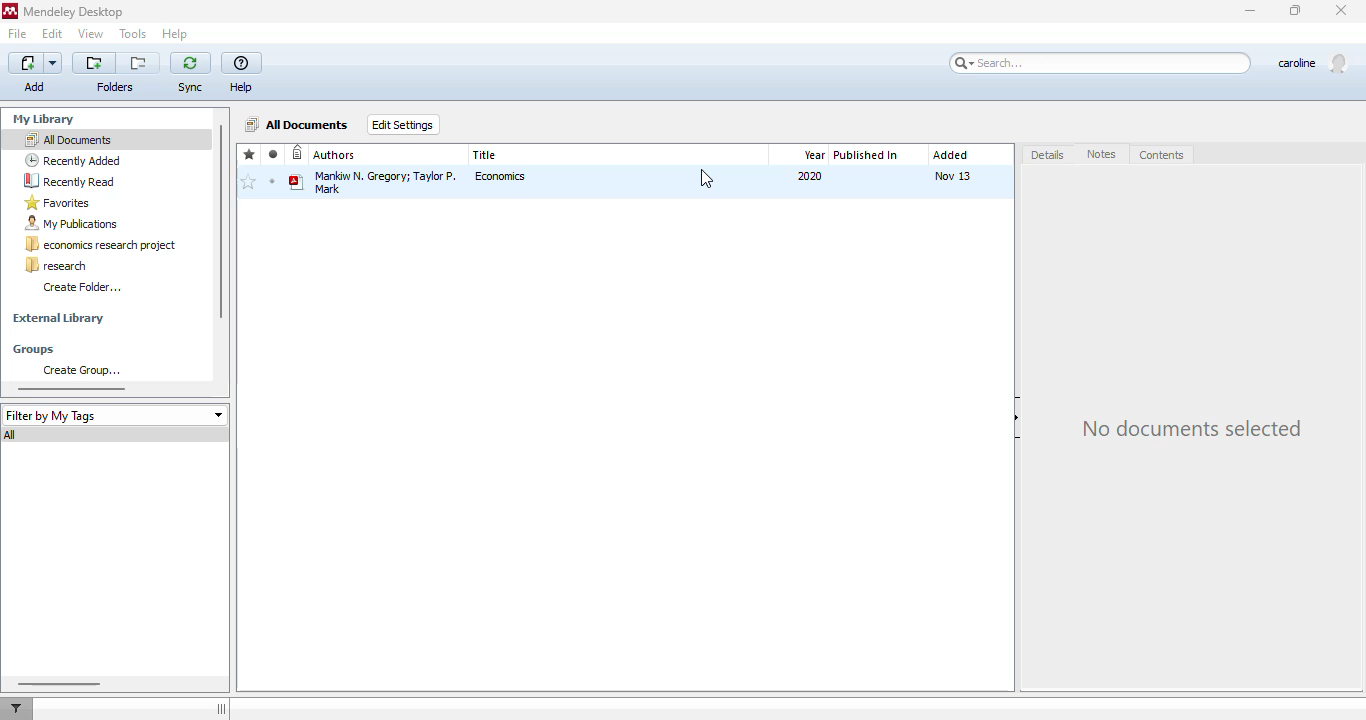 The height and width of the screenshot is (720, 1366). What do you see at coordinates (56, 265) in the screenshot?
I see `research` at bounding box center [56, 265].